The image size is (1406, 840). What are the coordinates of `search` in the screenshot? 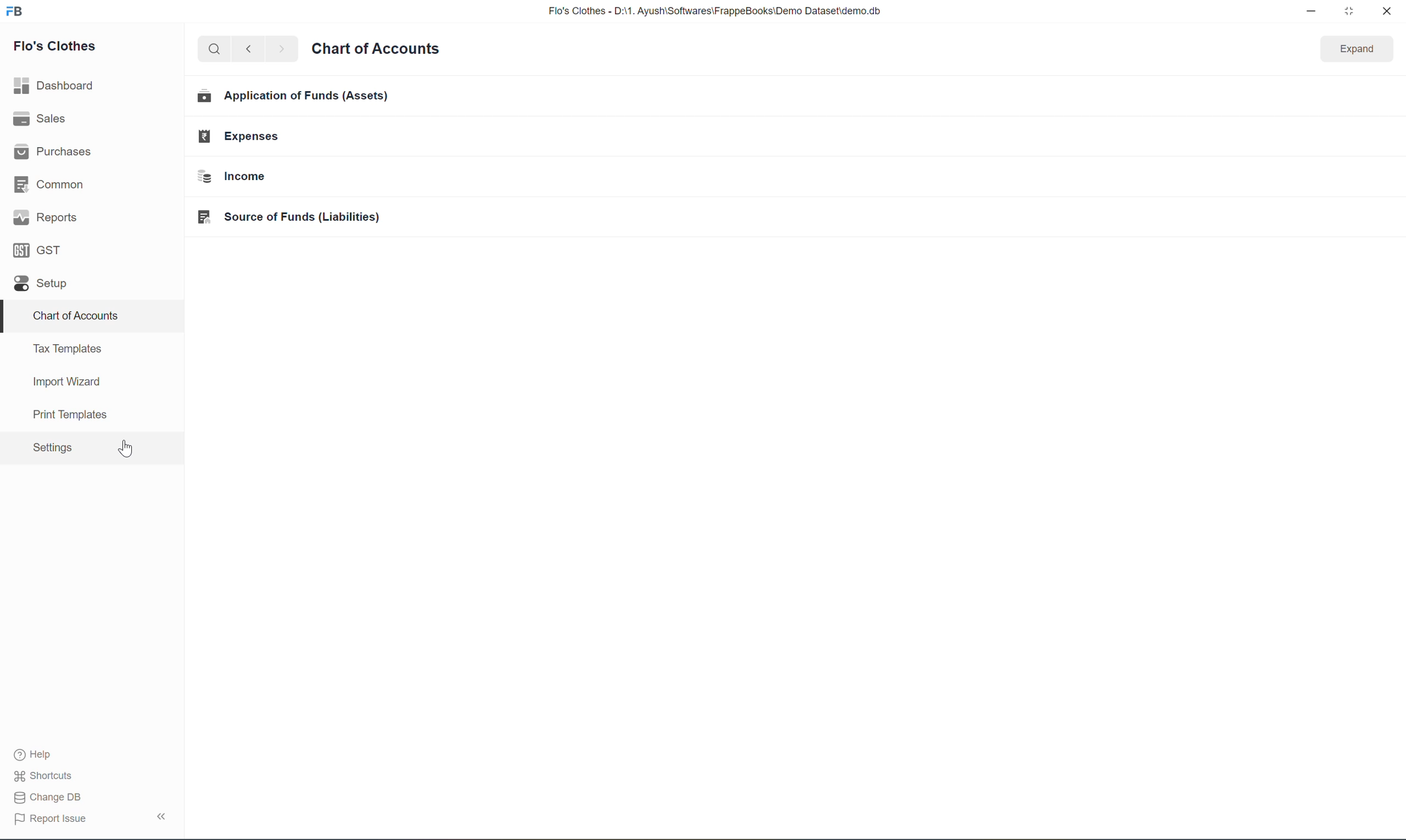 It's located at (216, 49).